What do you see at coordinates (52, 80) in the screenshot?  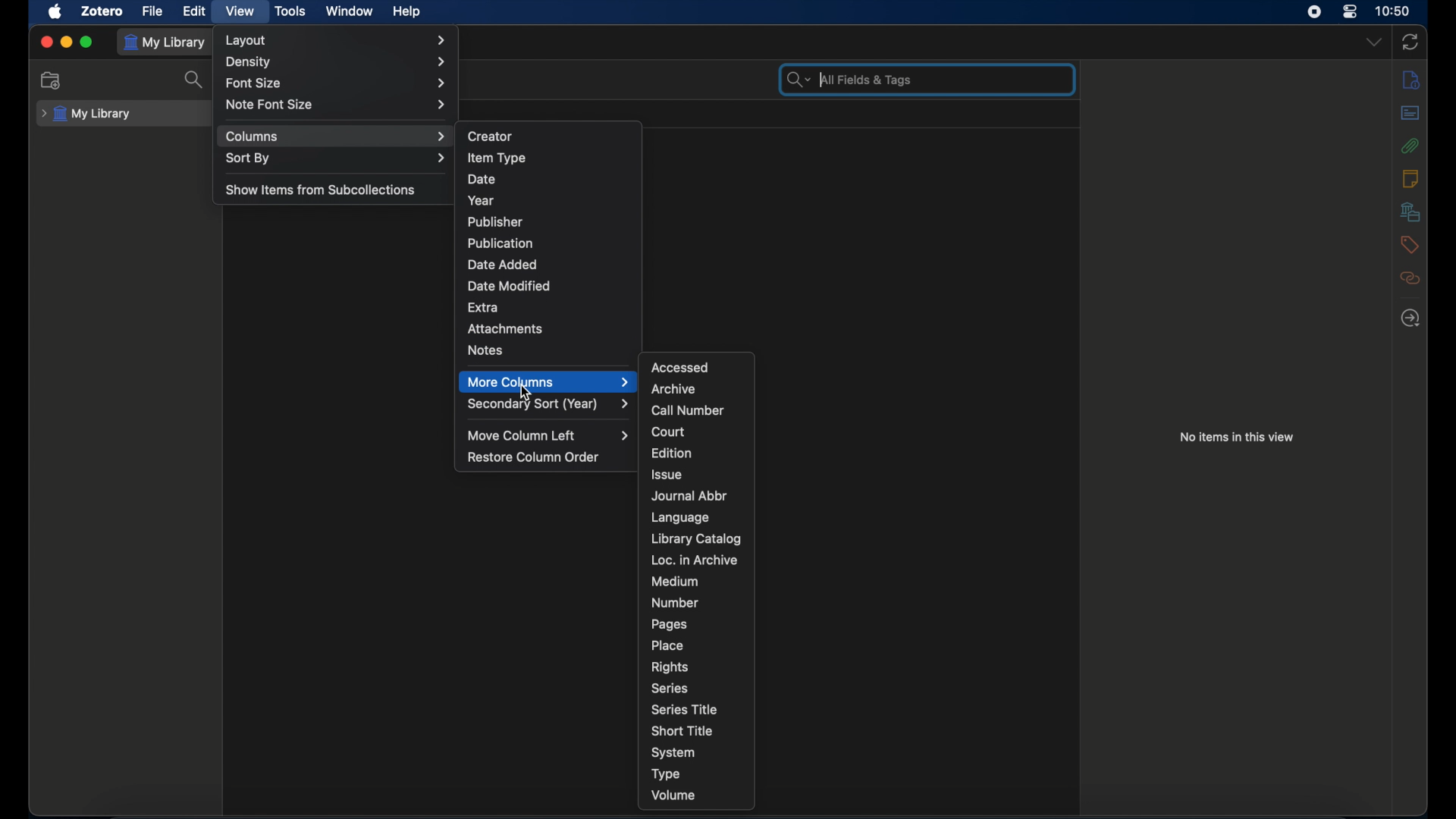 I see `new collection` at bounding box center [52, 80].